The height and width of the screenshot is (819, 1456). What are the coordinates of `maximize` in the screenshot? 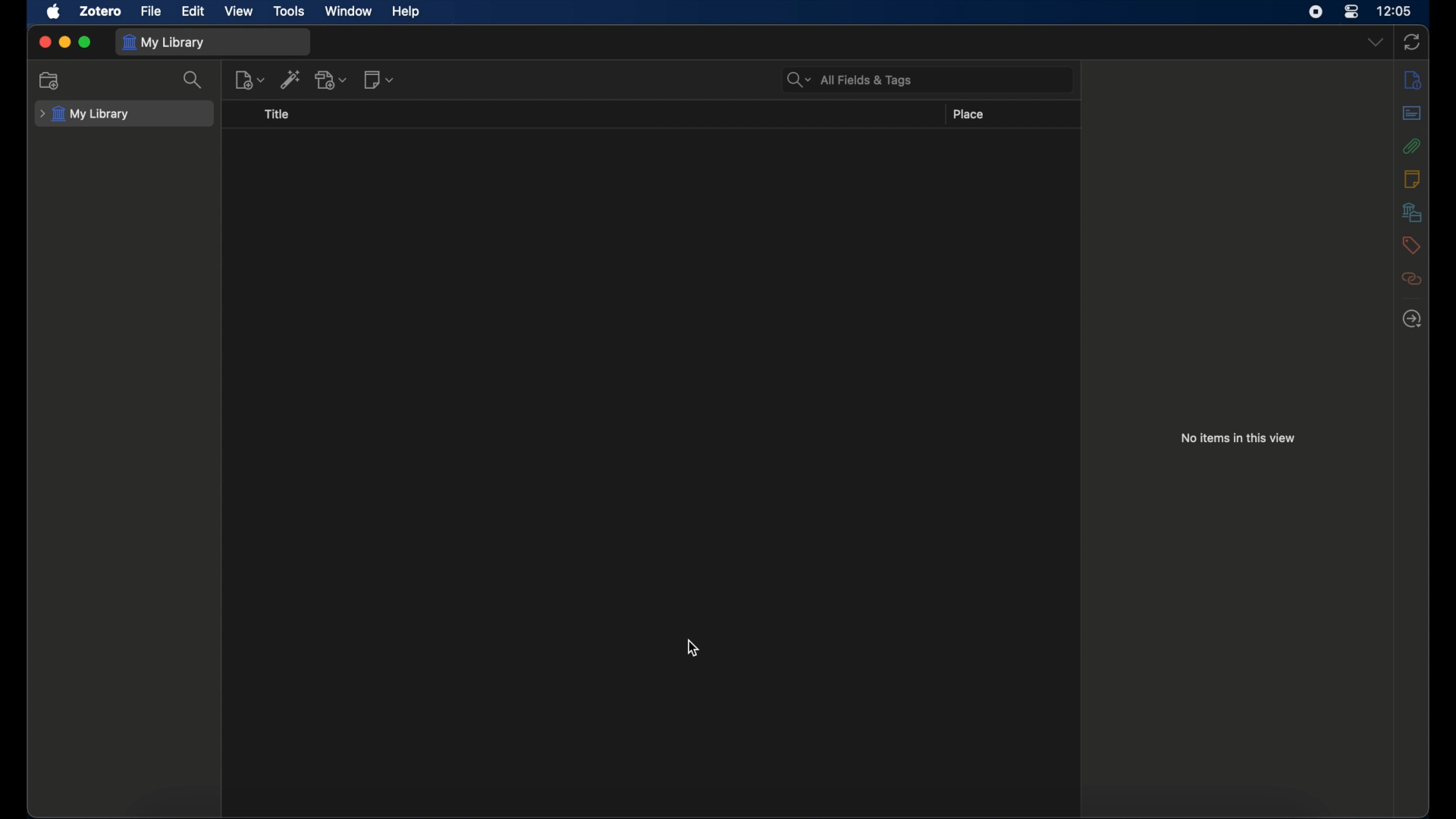 It's located at (86, 42).